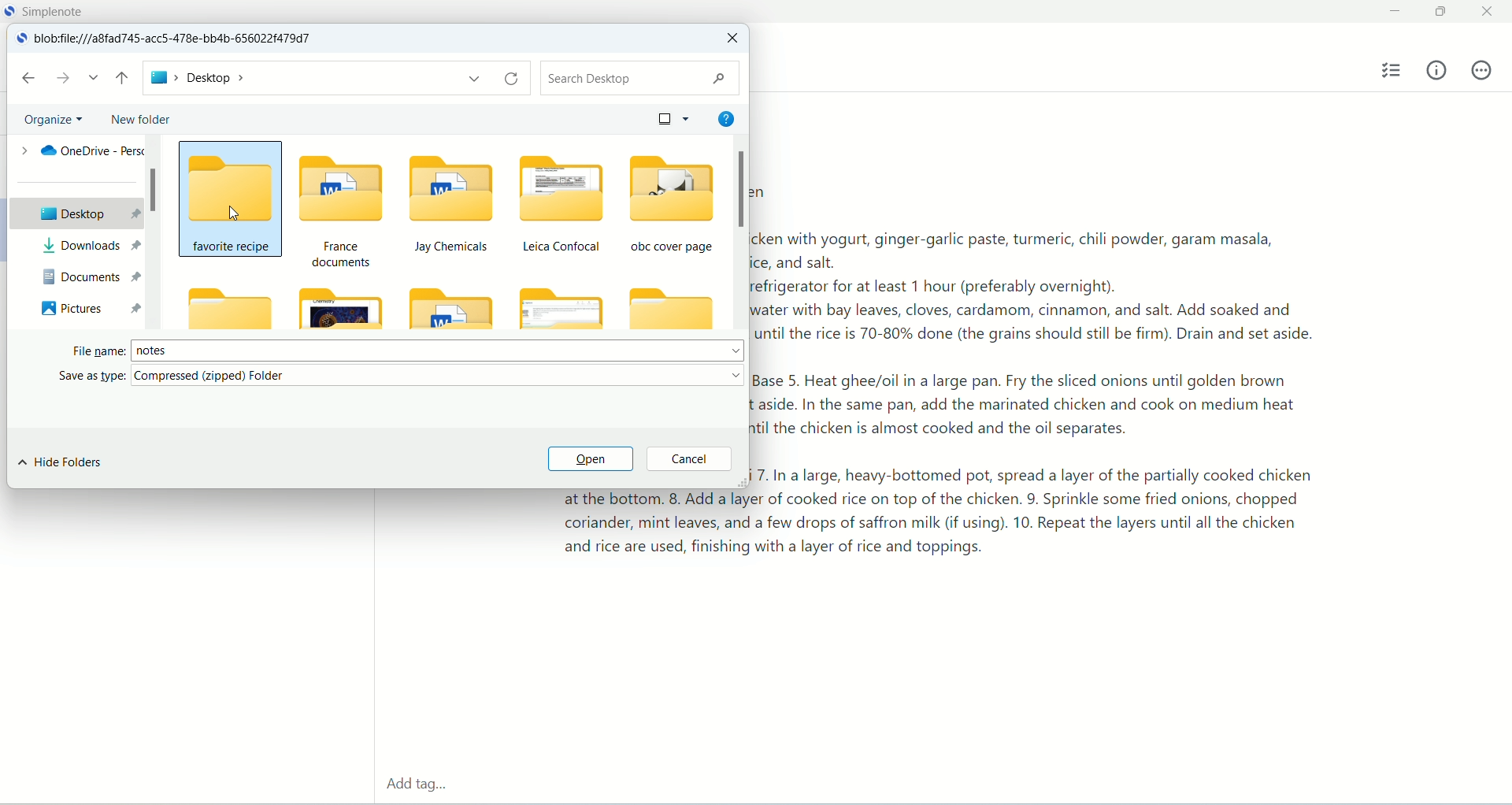 This screenshot has width=1512, height=805. What do you see at coordinates (94, 78) in the screenshot?
I see `recent location` at bounding box center [94, 78].